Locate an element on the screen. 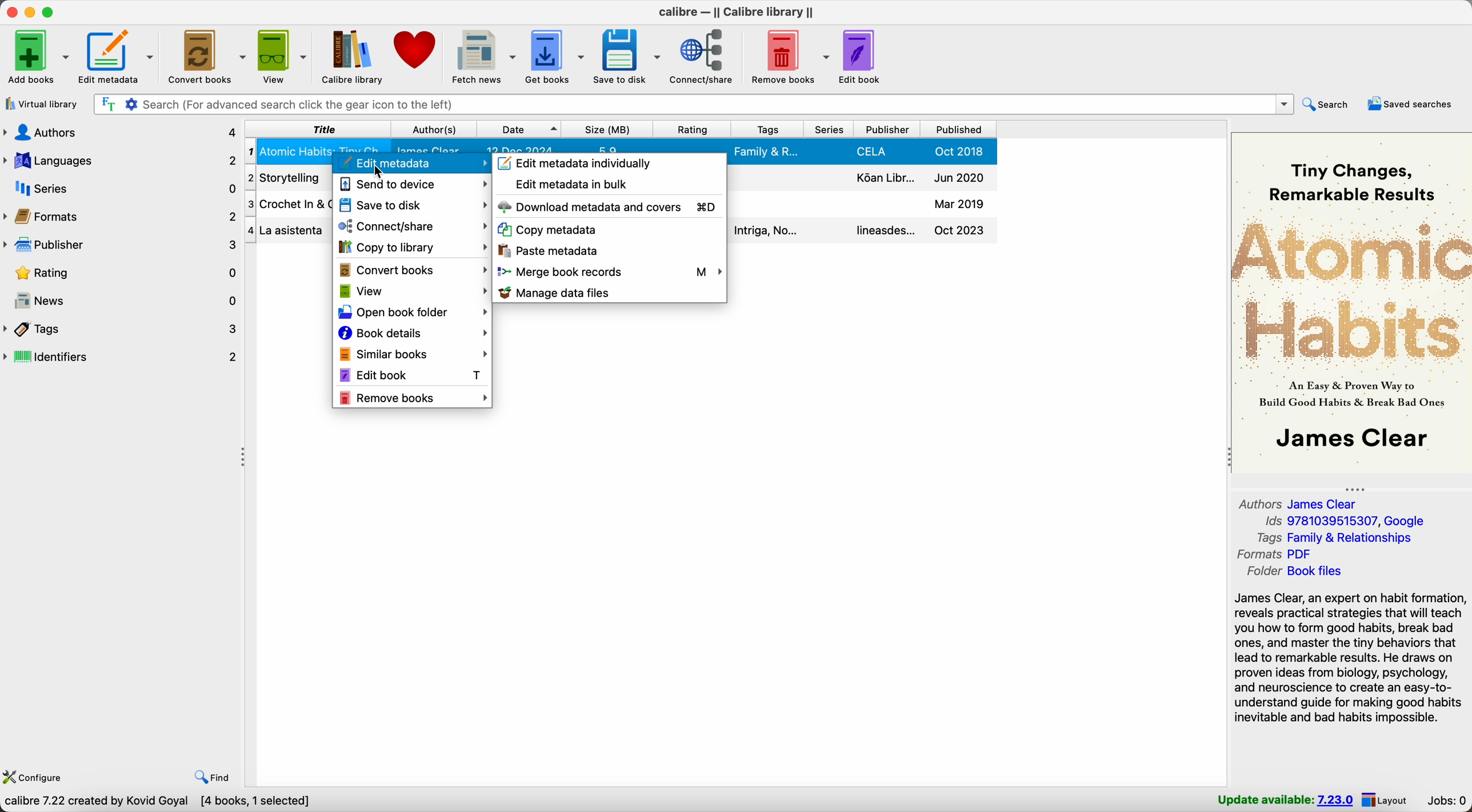 This screenshot has width=1472, height=812. book cover preview is located at coordinates (1351, 302).